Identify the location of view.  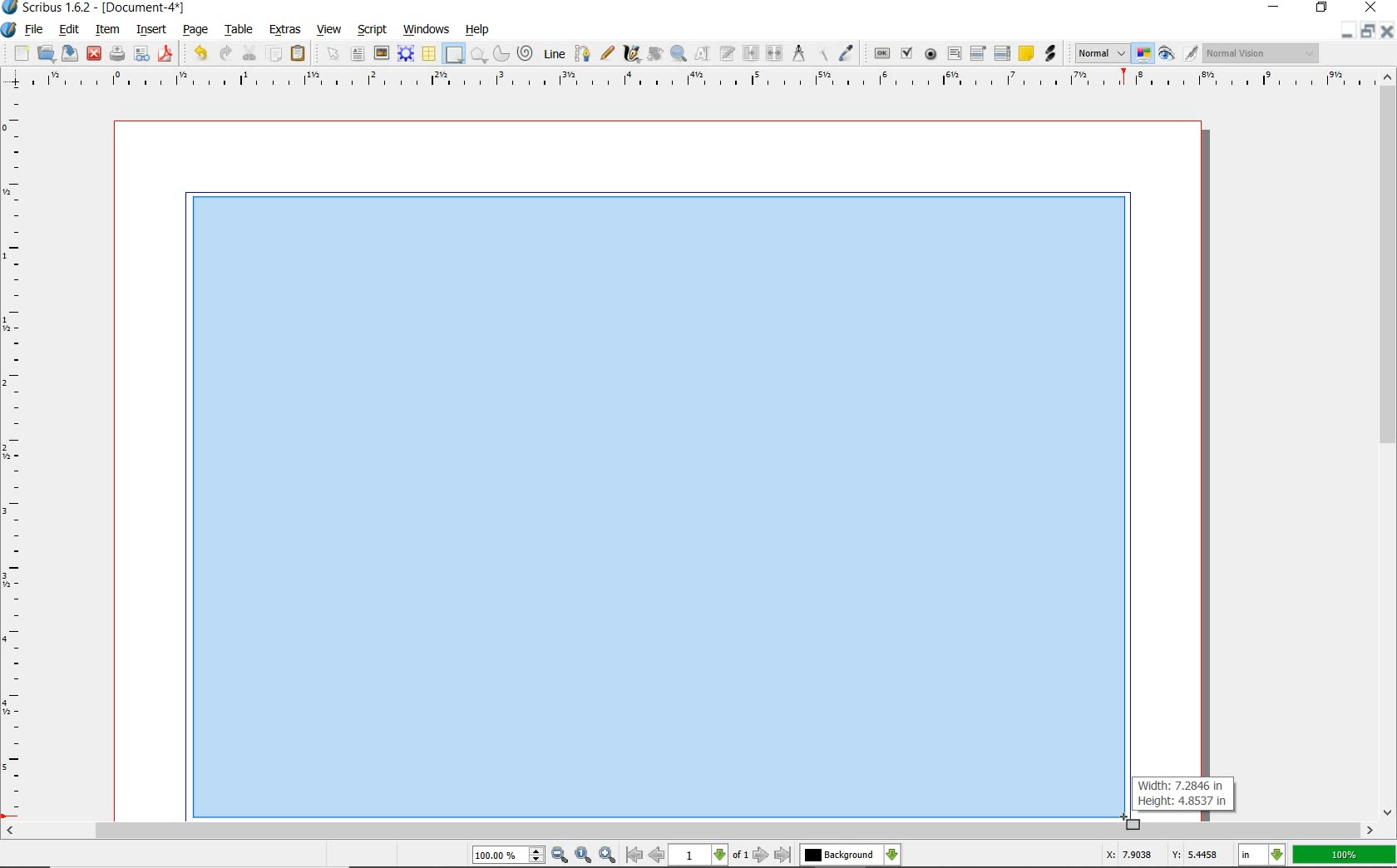
(329, 30).